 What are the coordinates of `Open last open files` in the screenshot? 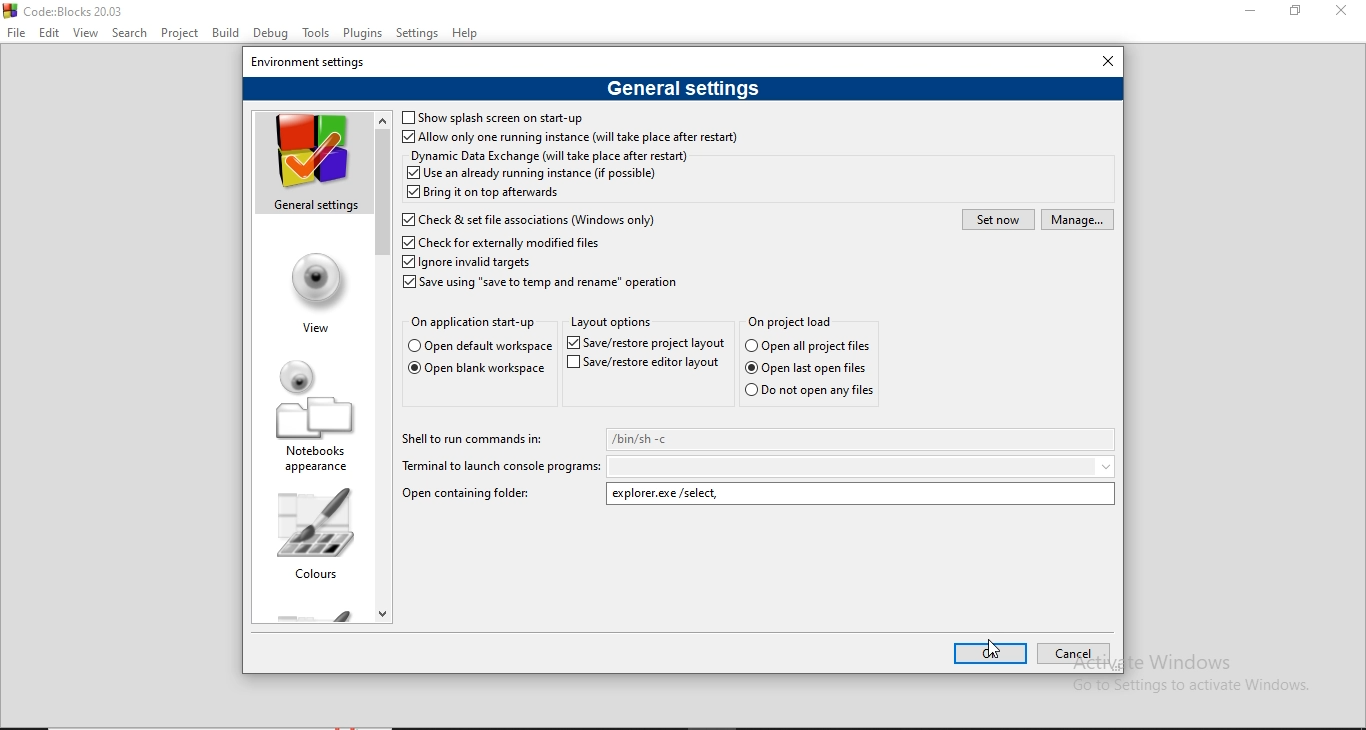 It's located at (809, 367).